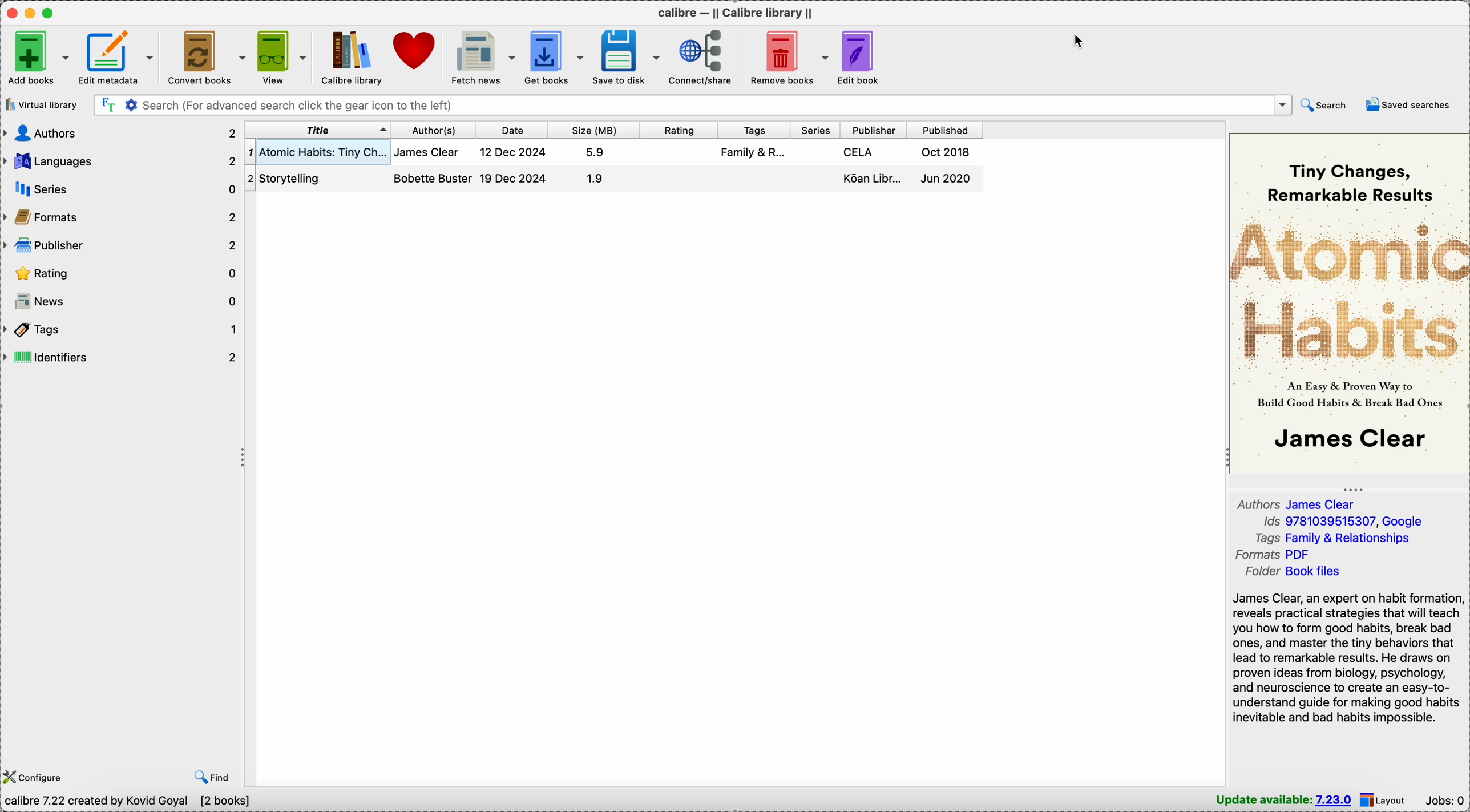 This screenshot has height=812, width=1470. What do you see at coordinates (122, 357) in the screenshot?
I see `identifiers` at bounding box center [122, 357].